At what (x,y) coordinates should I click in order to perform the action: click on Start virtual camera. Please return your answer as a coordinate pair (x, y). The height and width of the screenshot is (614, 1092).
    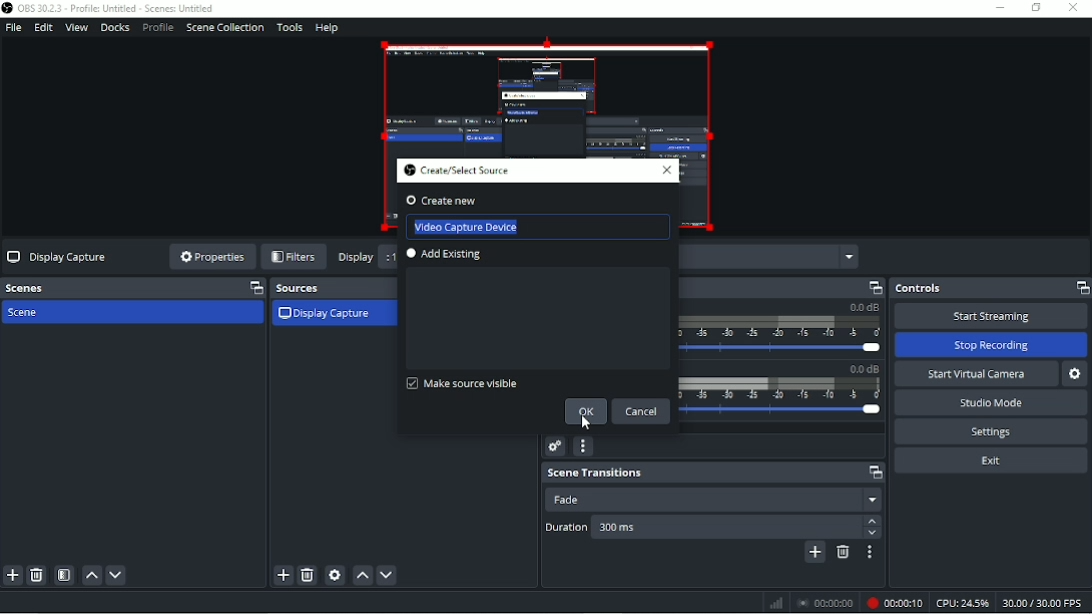
    Looking at the image, I should click on (974, 373).